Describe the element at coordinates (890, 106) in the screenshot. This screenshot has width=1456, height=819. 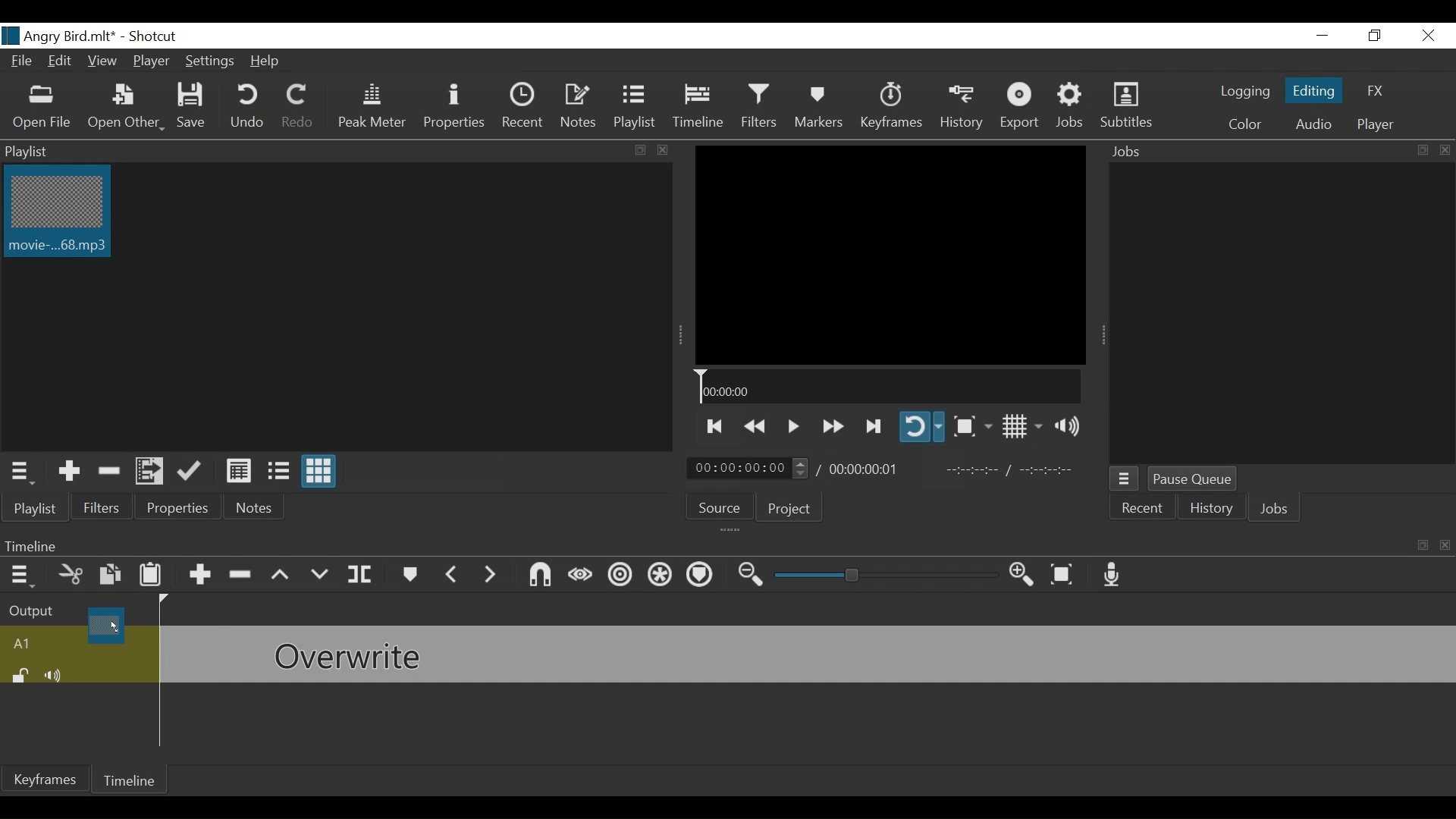
I see `Keyframes` at that location.